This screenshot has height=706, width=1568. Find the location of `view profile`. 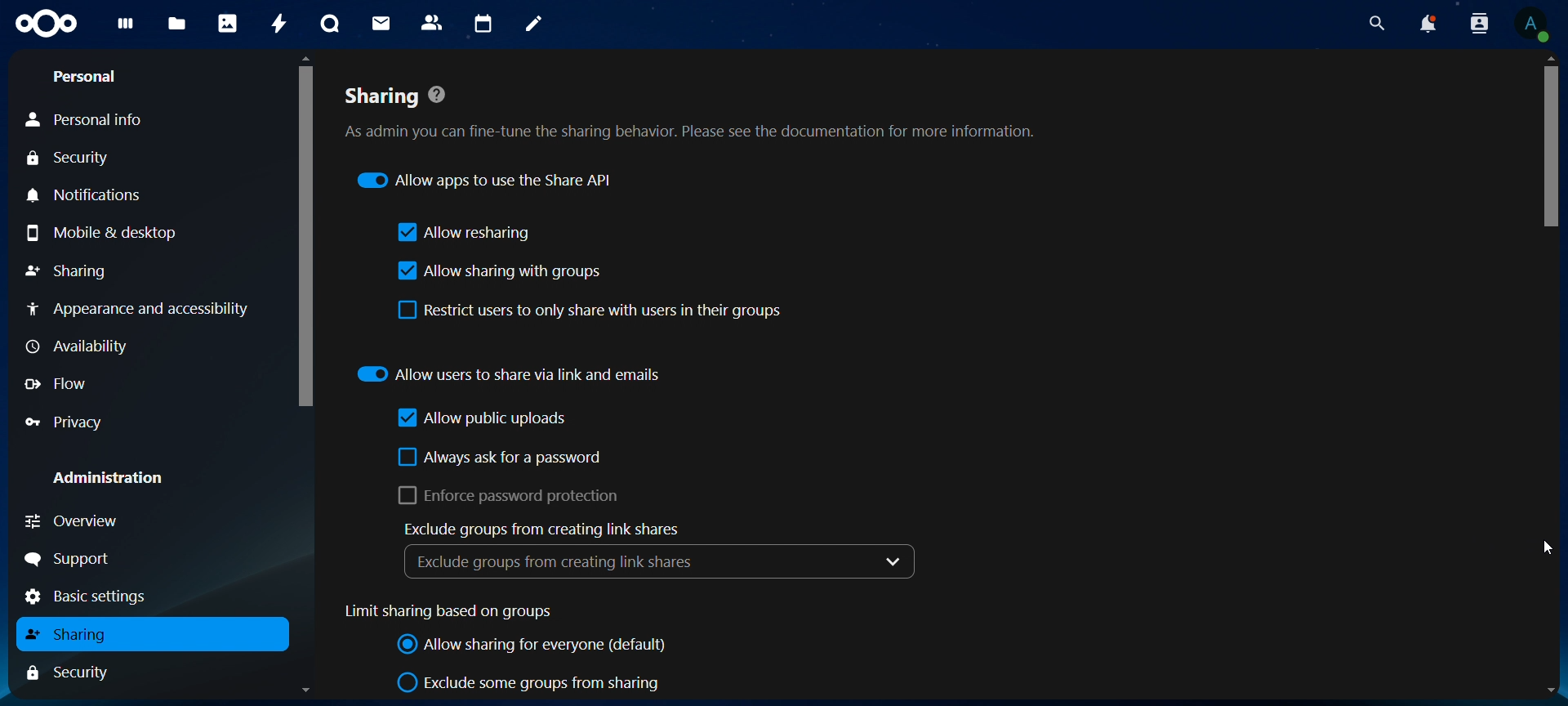

view profile is located at coordinates (1533, 27).